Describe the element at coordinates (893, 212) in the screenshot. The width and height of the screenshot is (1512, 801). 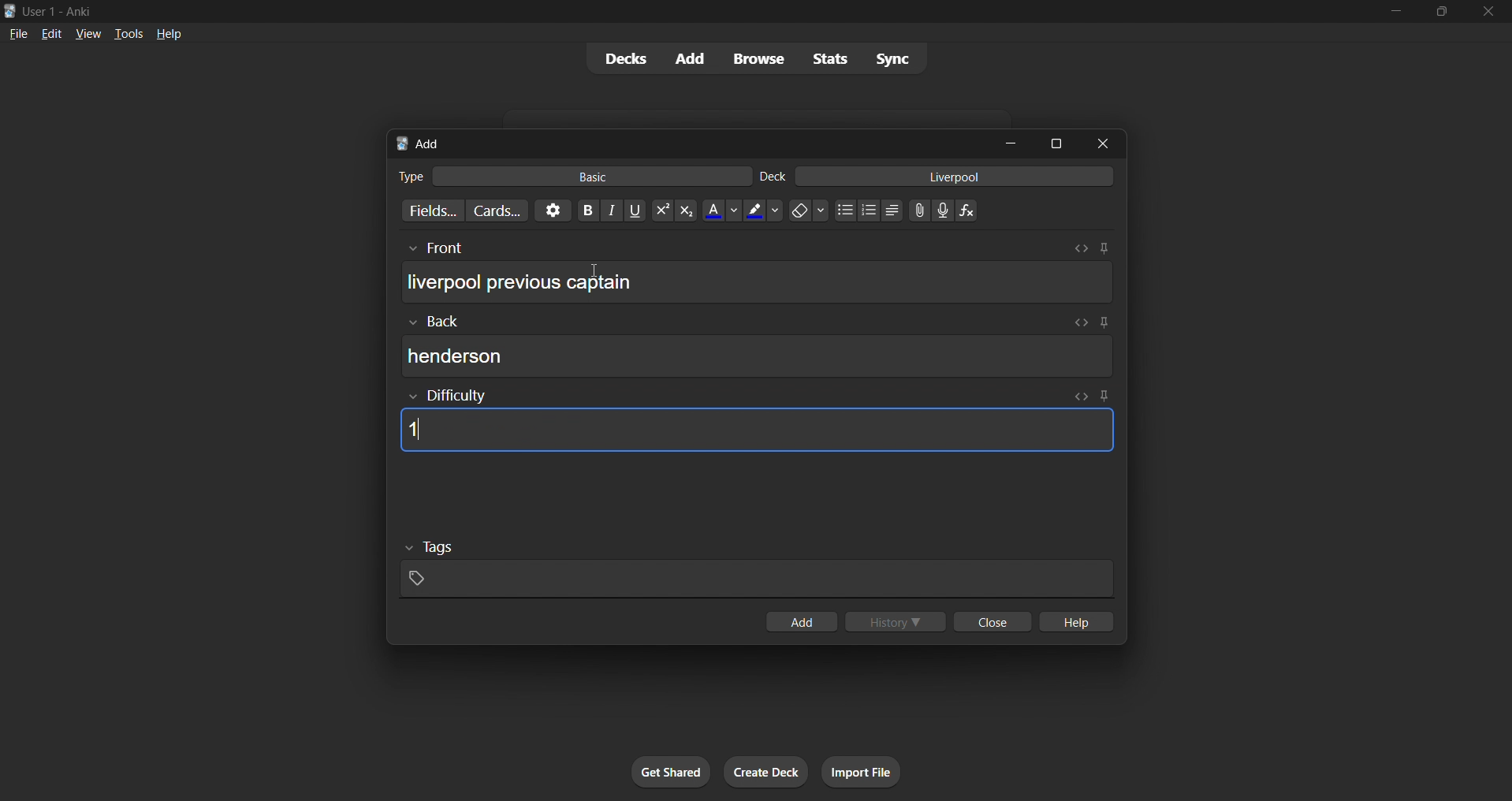
I see `multilevel list` at that location.